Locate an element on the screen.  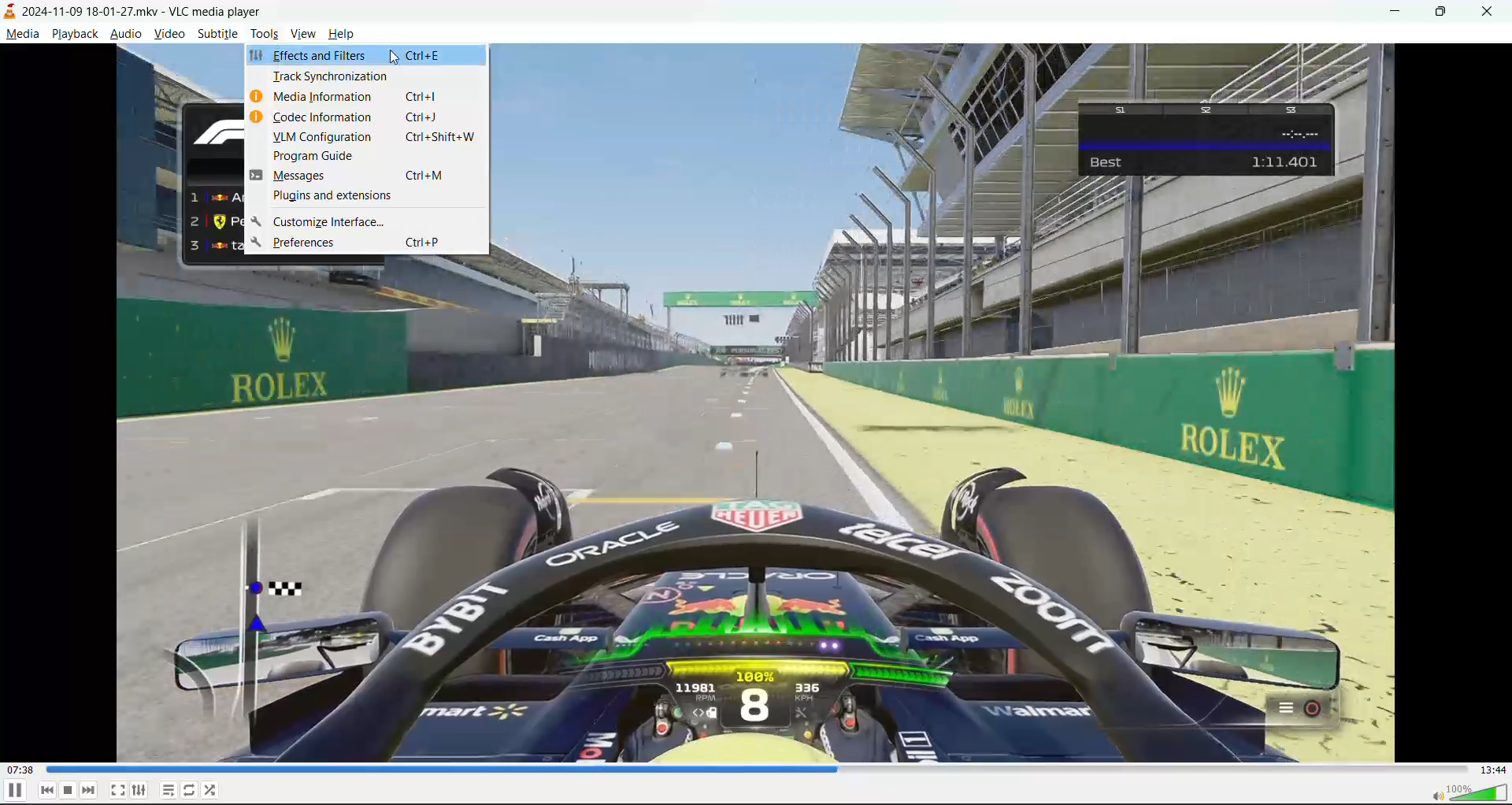
view is located at coordinates (306, 32).